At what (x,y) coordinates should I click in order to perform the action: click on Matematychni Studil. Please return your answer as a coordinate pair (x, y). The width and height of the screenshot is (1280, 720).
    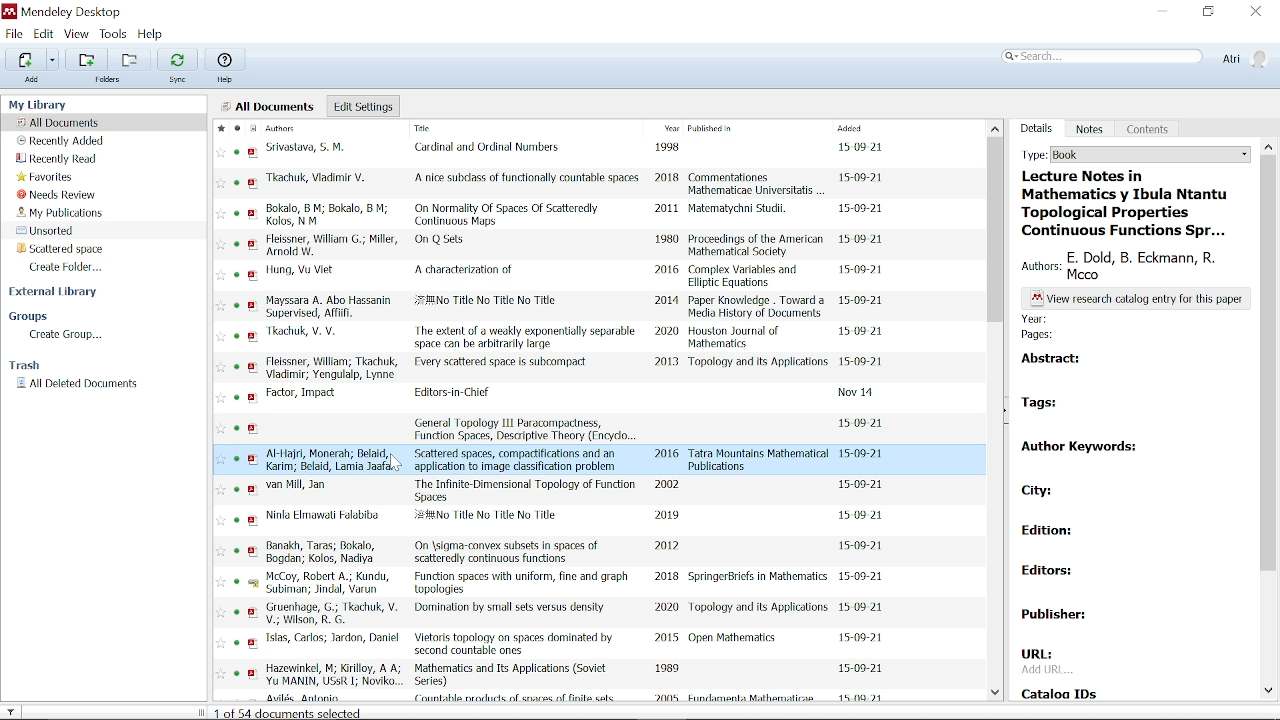
    Looking at the image, I should click on (739, 211).